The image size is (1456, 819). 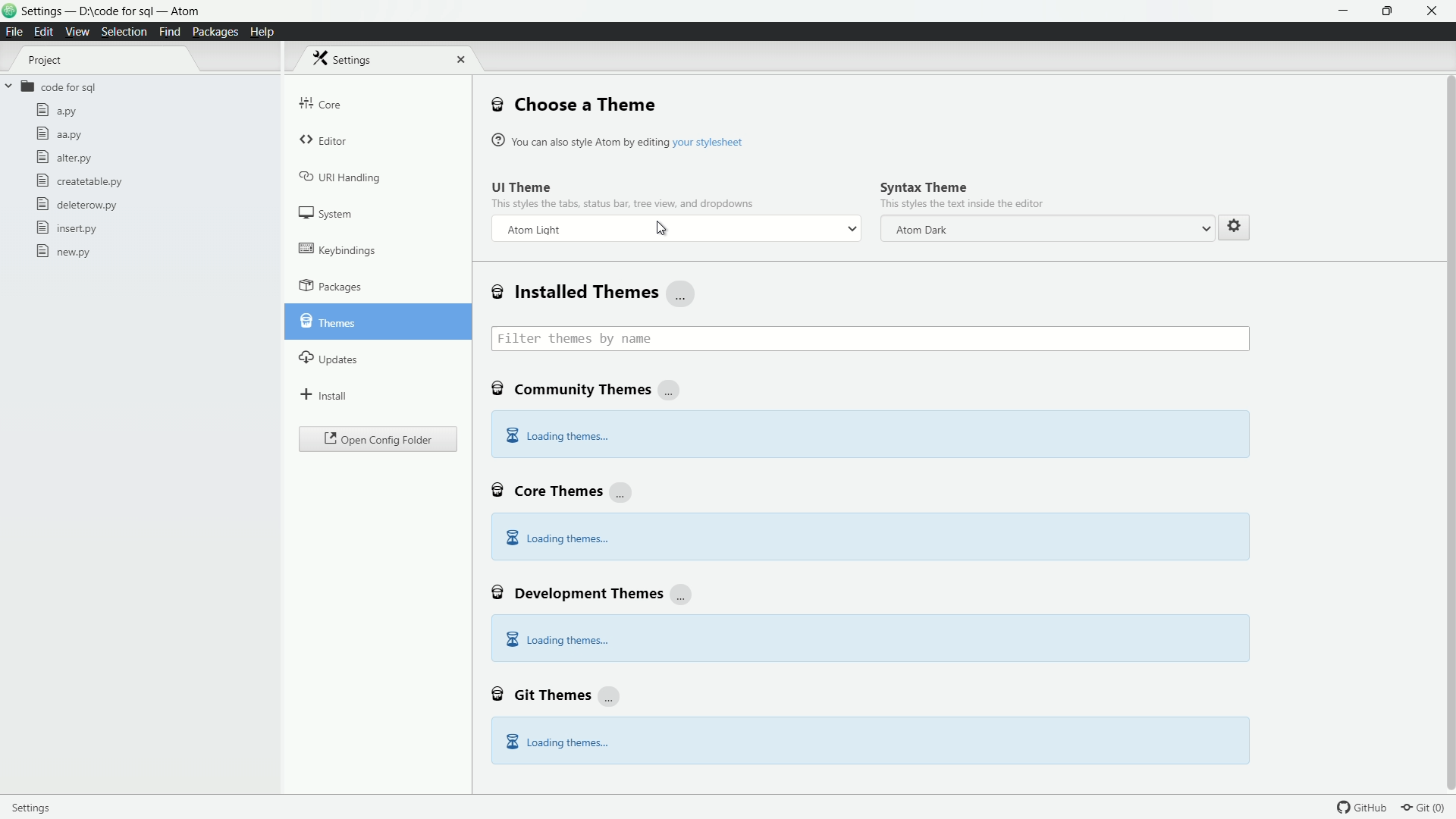 I want to click on createtable.py file, so click(x=77, y=180).